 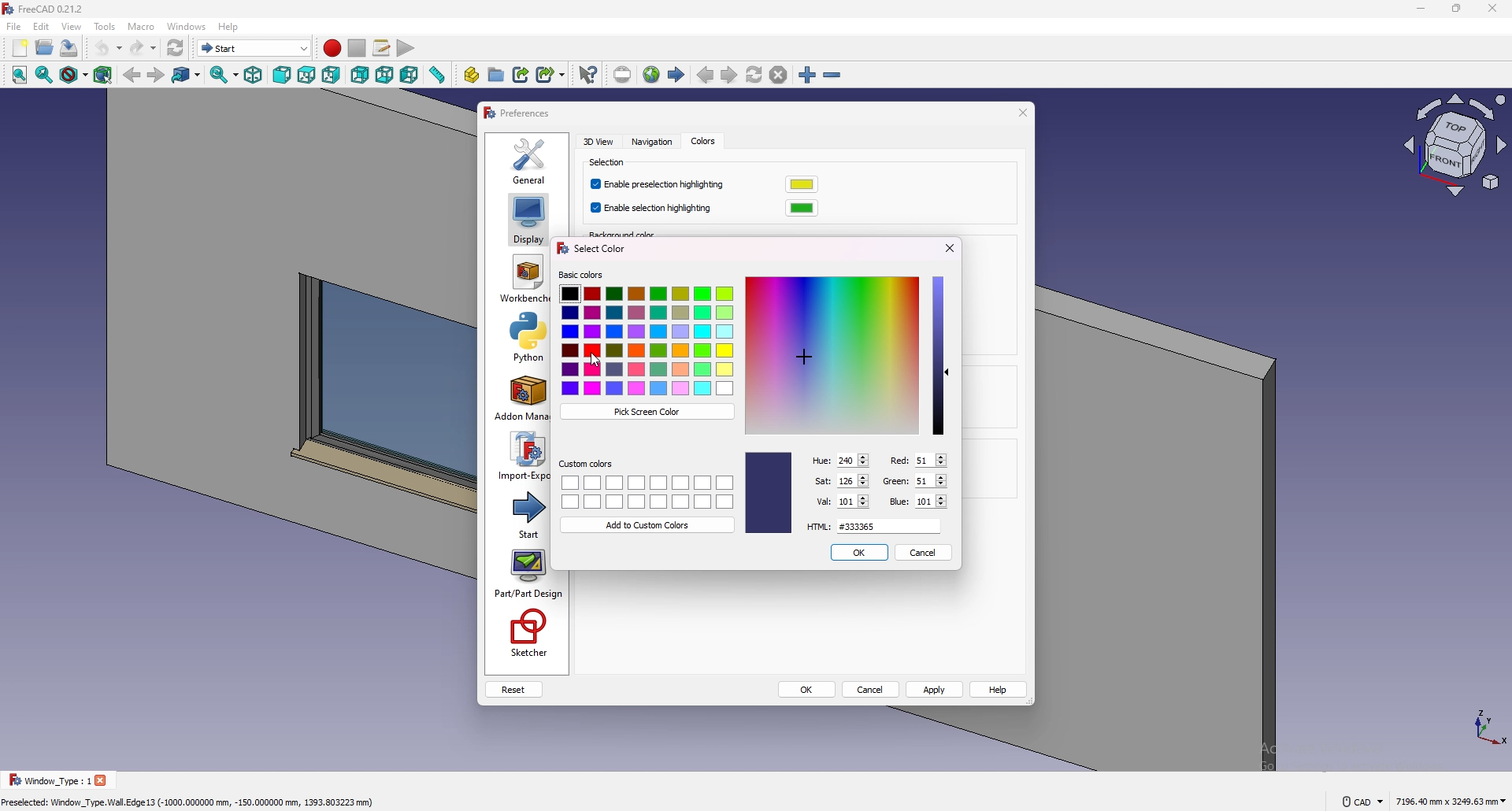 I want to click on color shade, so click(x=769, y=492).